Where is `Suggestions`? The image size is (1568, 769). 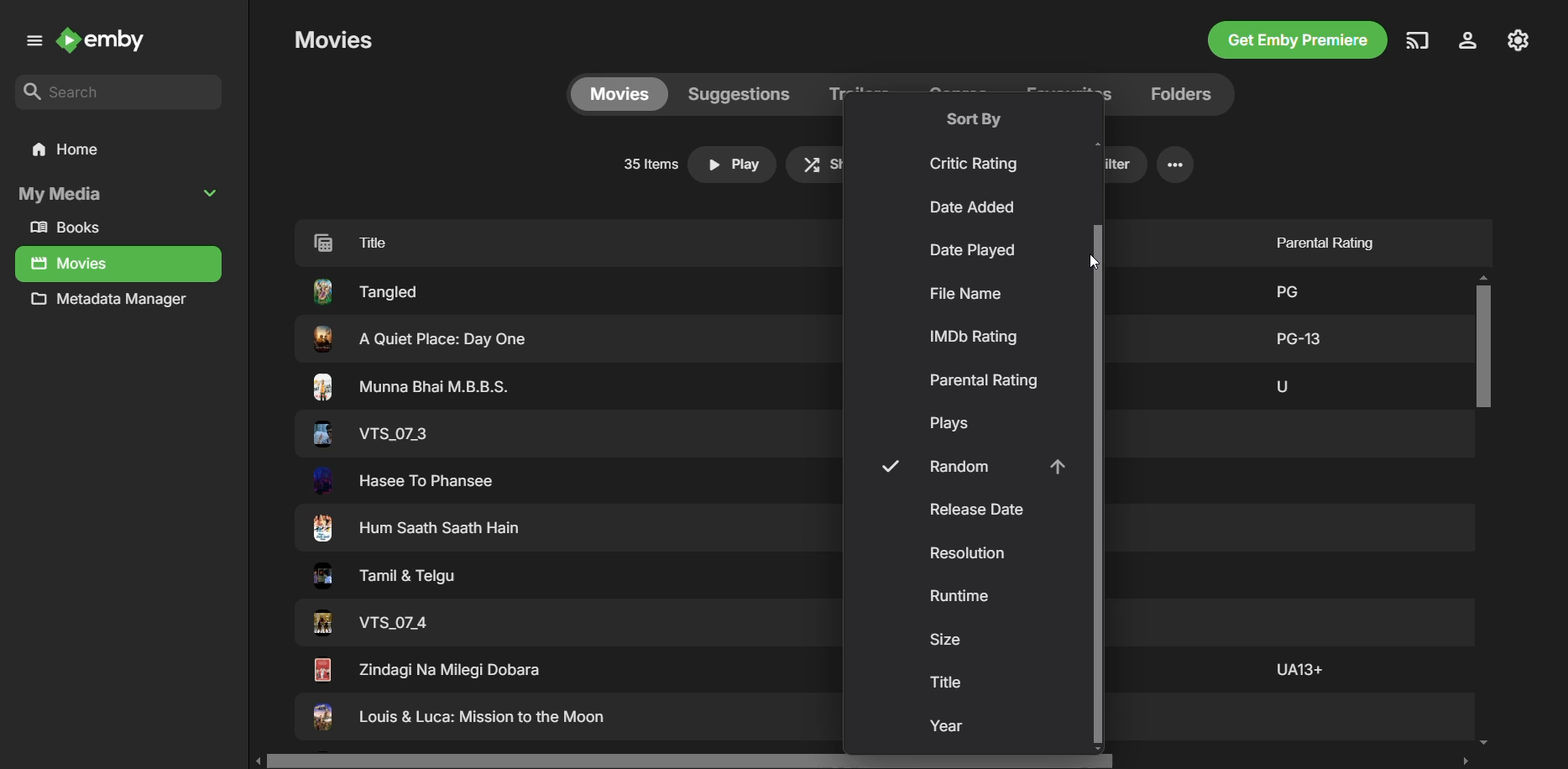 Suggestions is located at coordinates (738, 93).